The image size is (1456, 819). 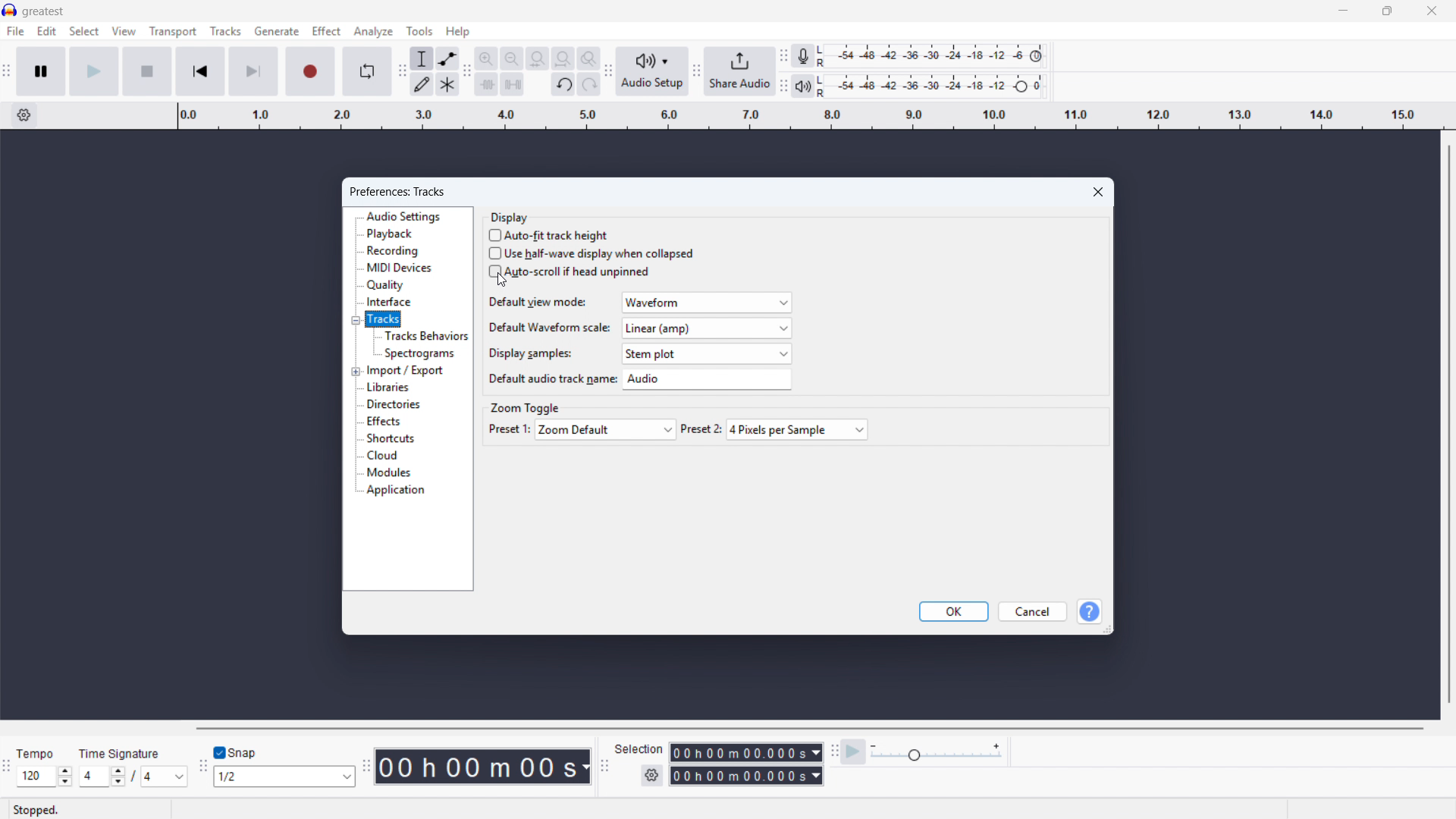 What do you see at coordinates (741, 71) in the screenshot?
I see `share audio` at bounding box center [741, 71].